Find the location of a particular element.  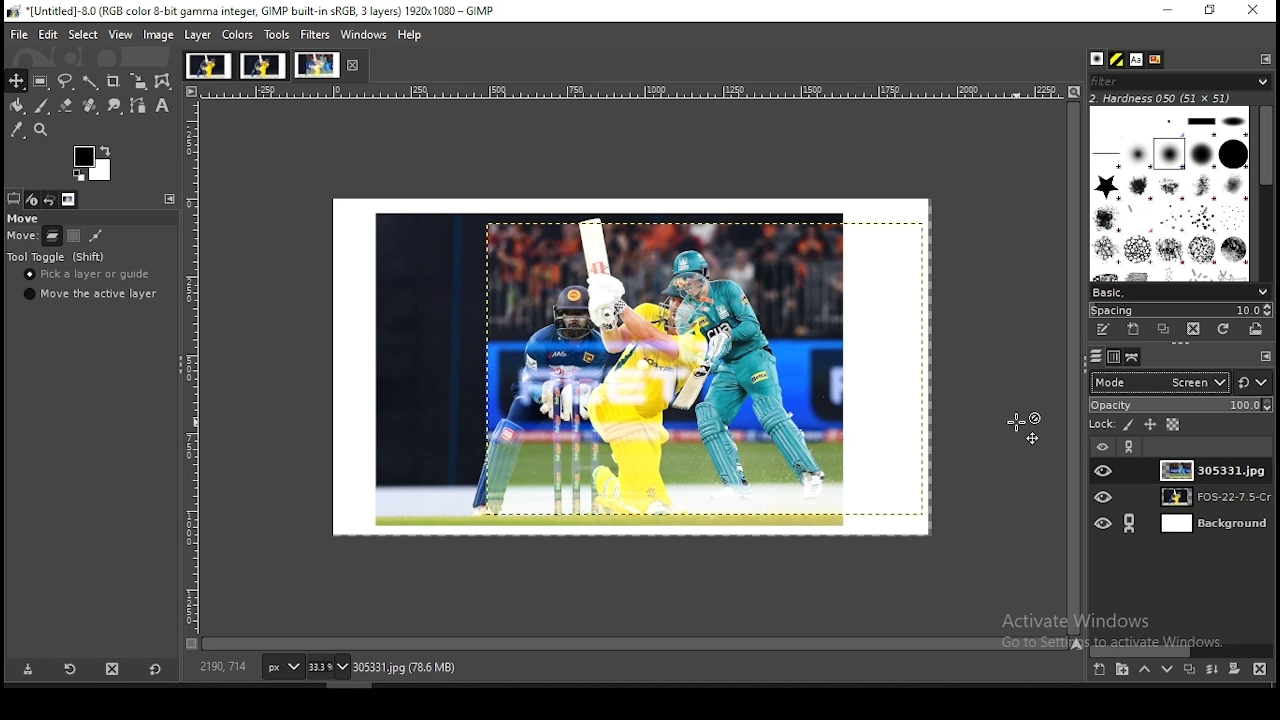

visibility is located at coordinates (1103, 446).